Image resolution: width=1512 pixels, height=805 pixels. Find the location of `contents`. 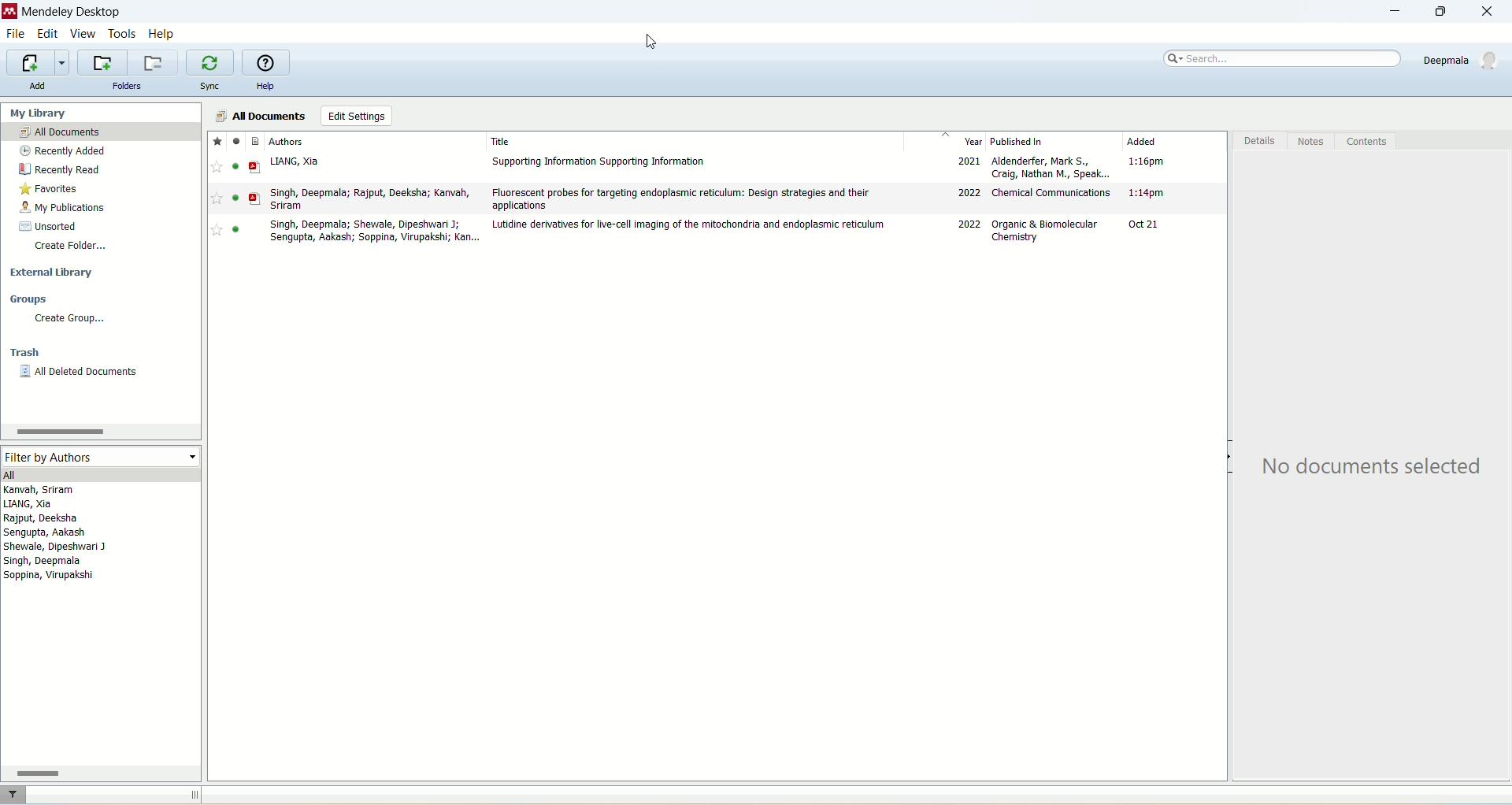

contents is located at coordinates (1367, 143).